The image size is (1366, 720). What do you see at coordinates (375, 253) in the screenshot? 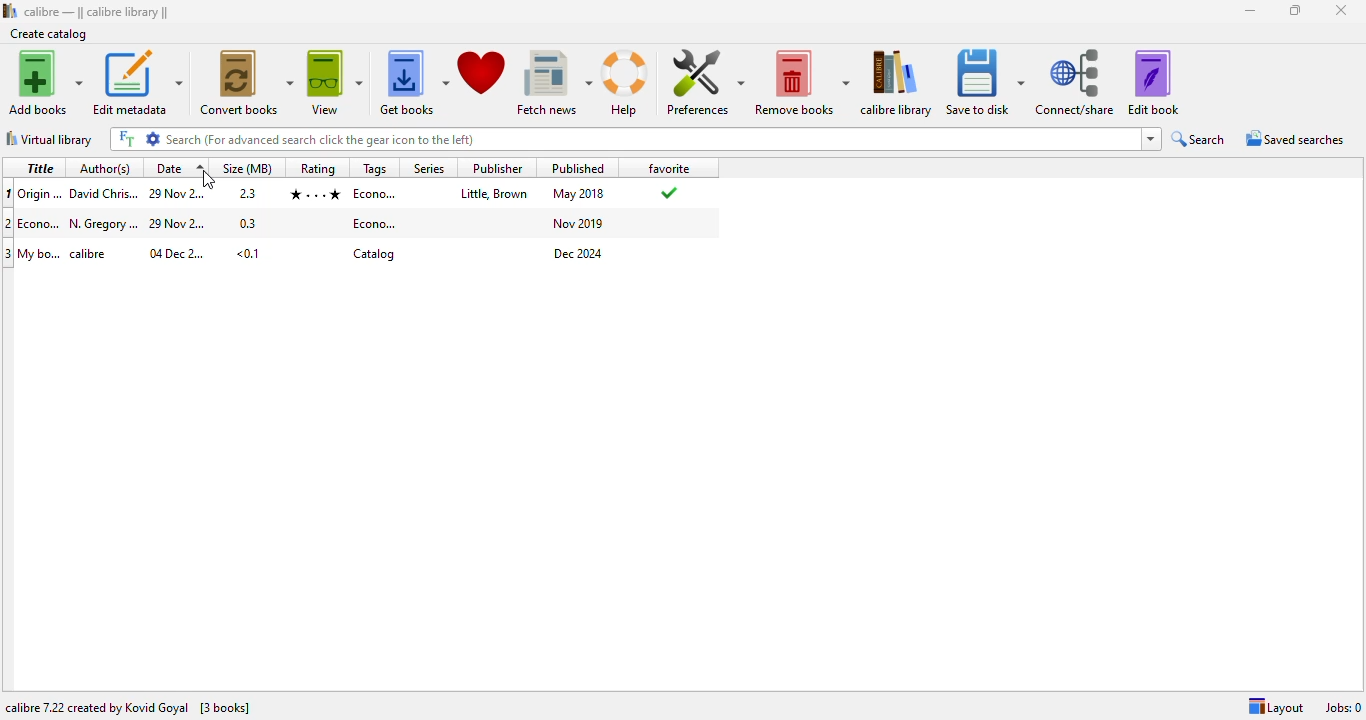
I see `tag` at bounding box center [375, 253].